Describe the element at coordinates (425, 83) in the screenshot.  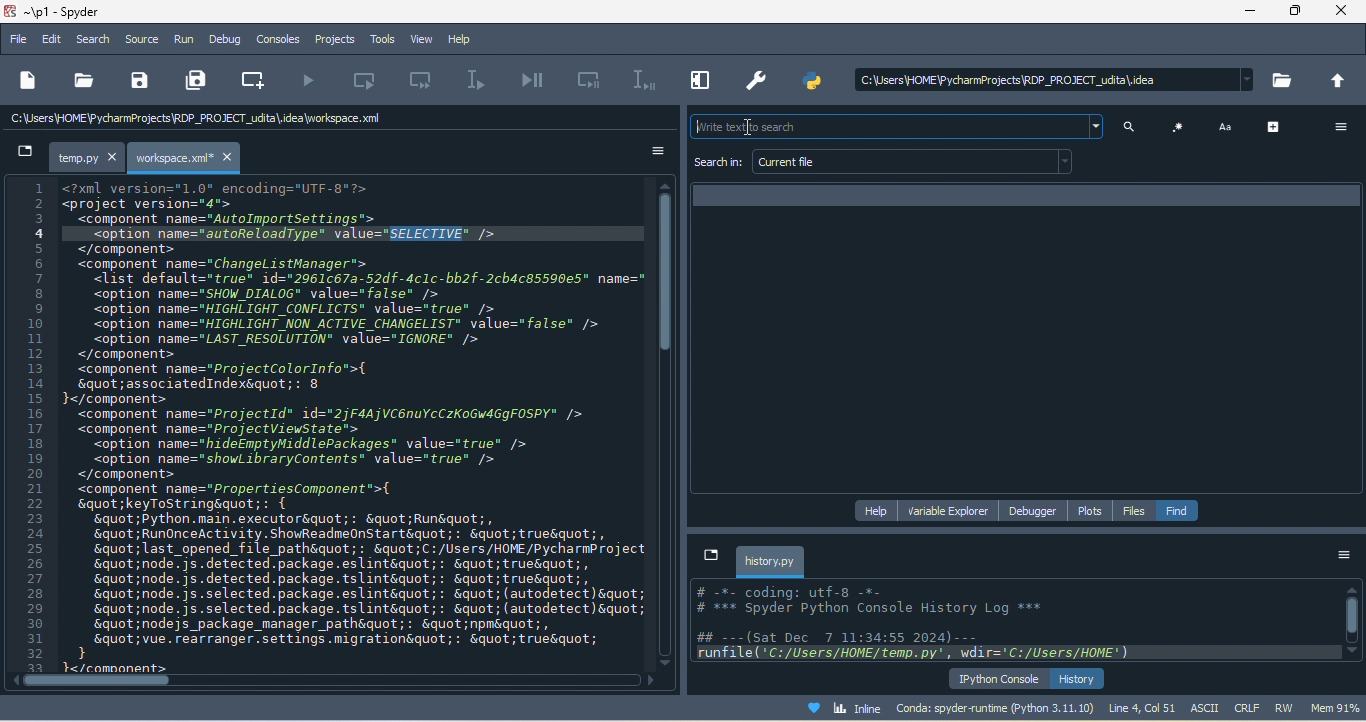
I see `run current cell and go to the next one` at that location.